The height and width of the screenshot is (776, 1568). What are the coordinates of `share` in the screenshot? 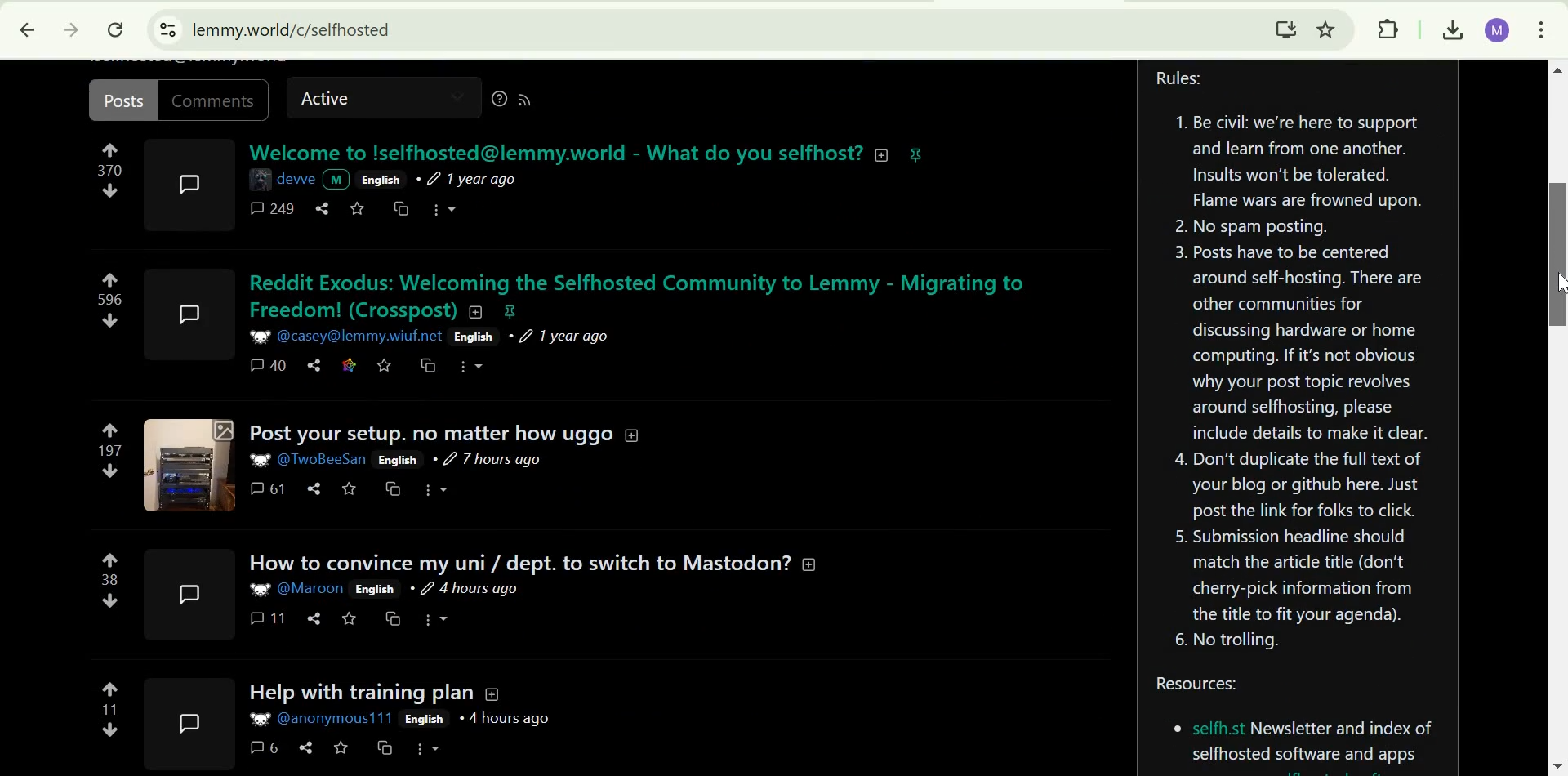 It's located at (314, 488).